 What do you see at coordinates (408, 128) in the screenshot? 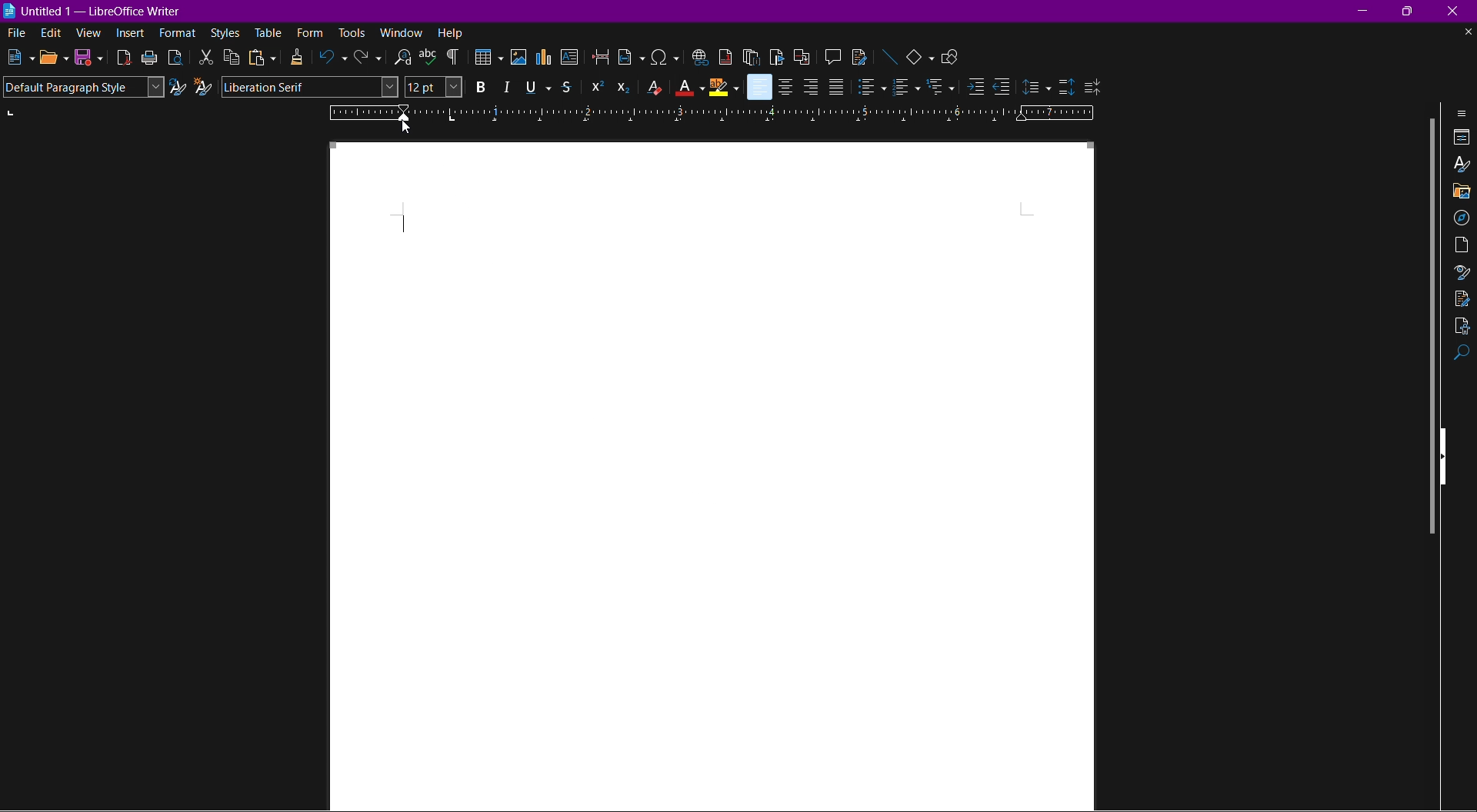
I see `cursor` at bounding box center [408, 128].